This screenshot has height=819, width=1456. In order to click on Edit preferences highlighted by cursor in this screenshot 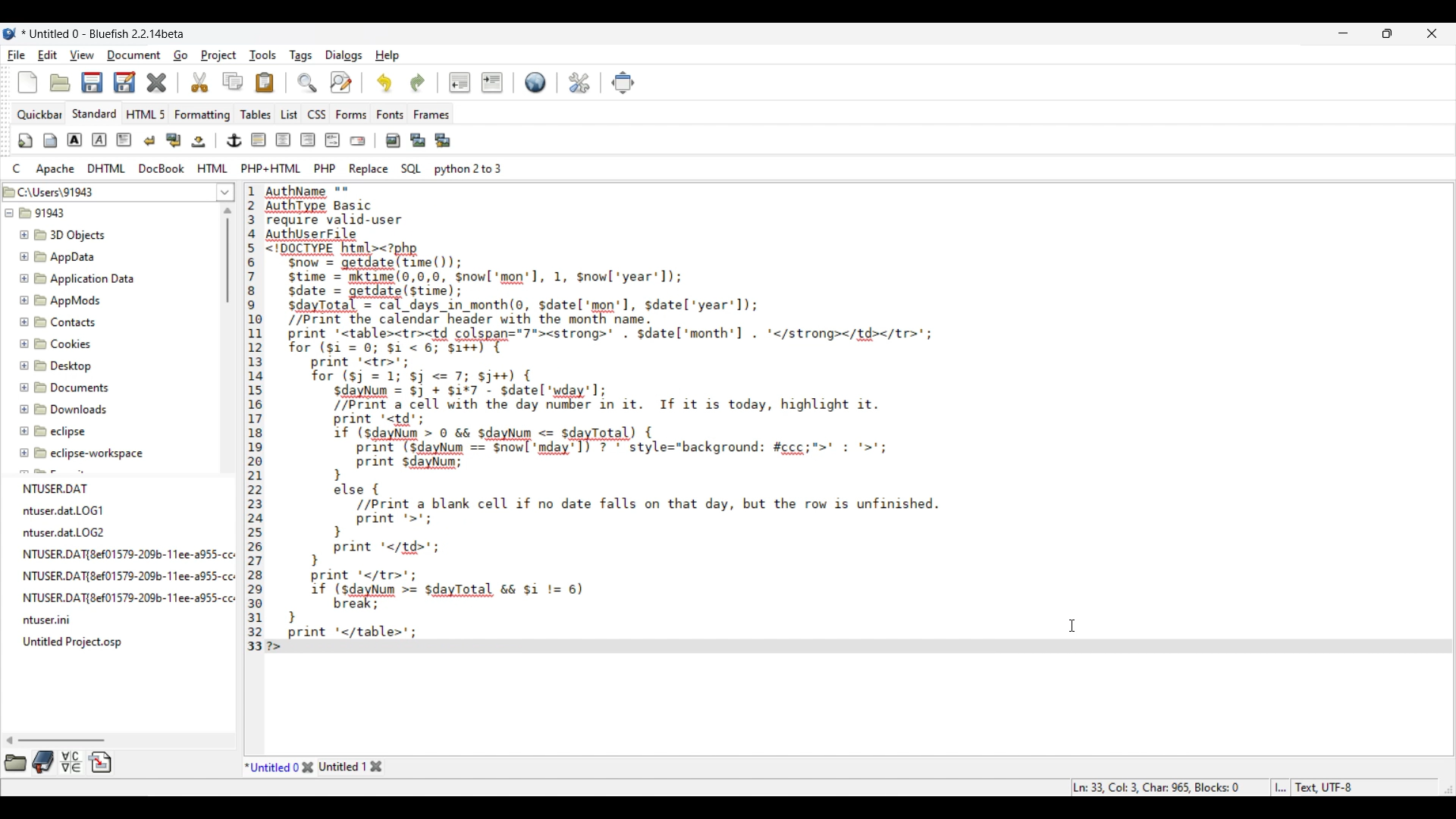, I will do `click(580, 83)`.